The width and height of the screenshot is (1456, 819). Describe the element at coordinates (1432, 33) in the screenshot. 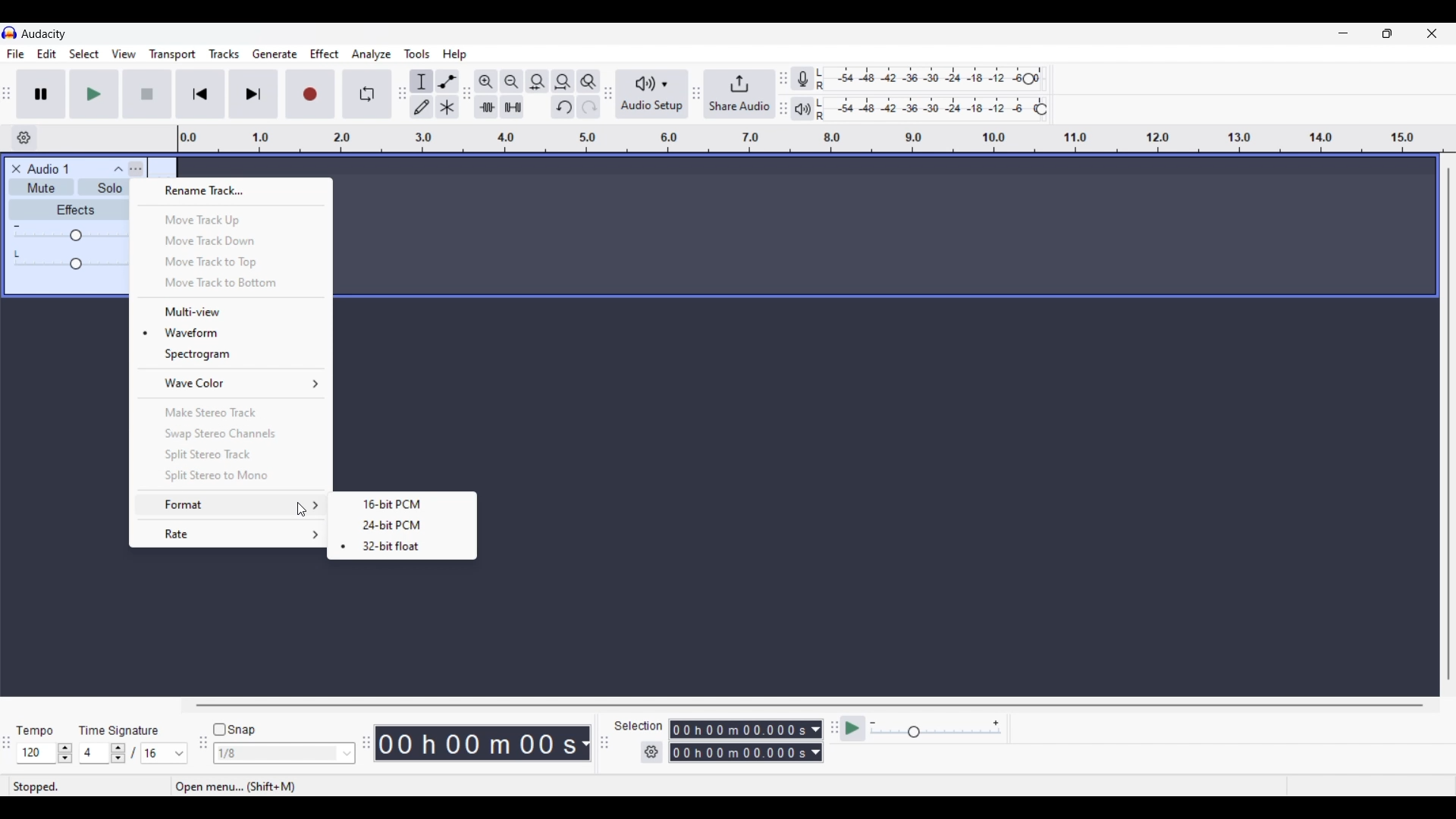

I see `Close interface` at that location.